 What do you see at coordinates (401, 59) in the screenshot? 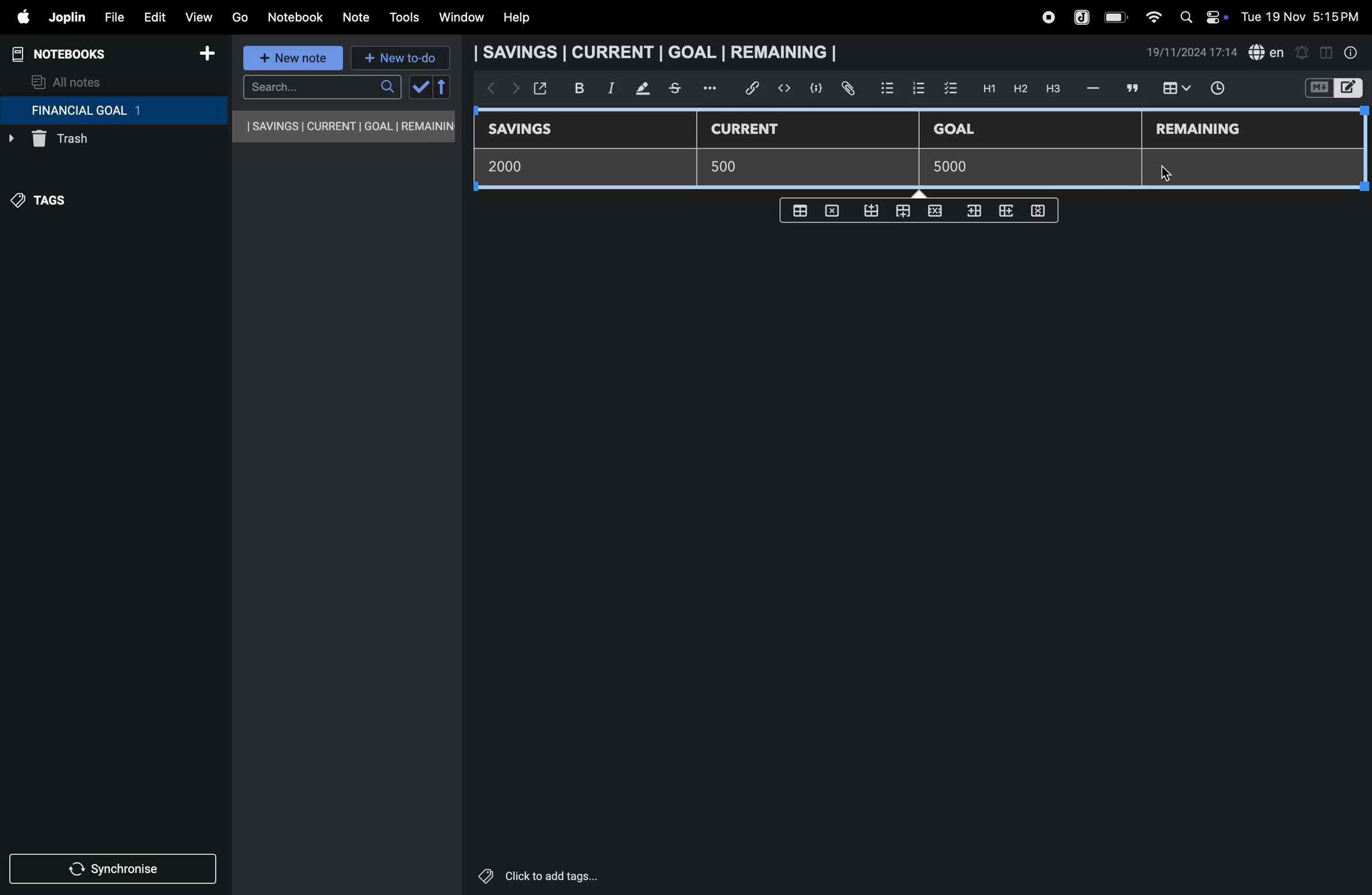
I see `new to-do` at bounding box center [401, 59].